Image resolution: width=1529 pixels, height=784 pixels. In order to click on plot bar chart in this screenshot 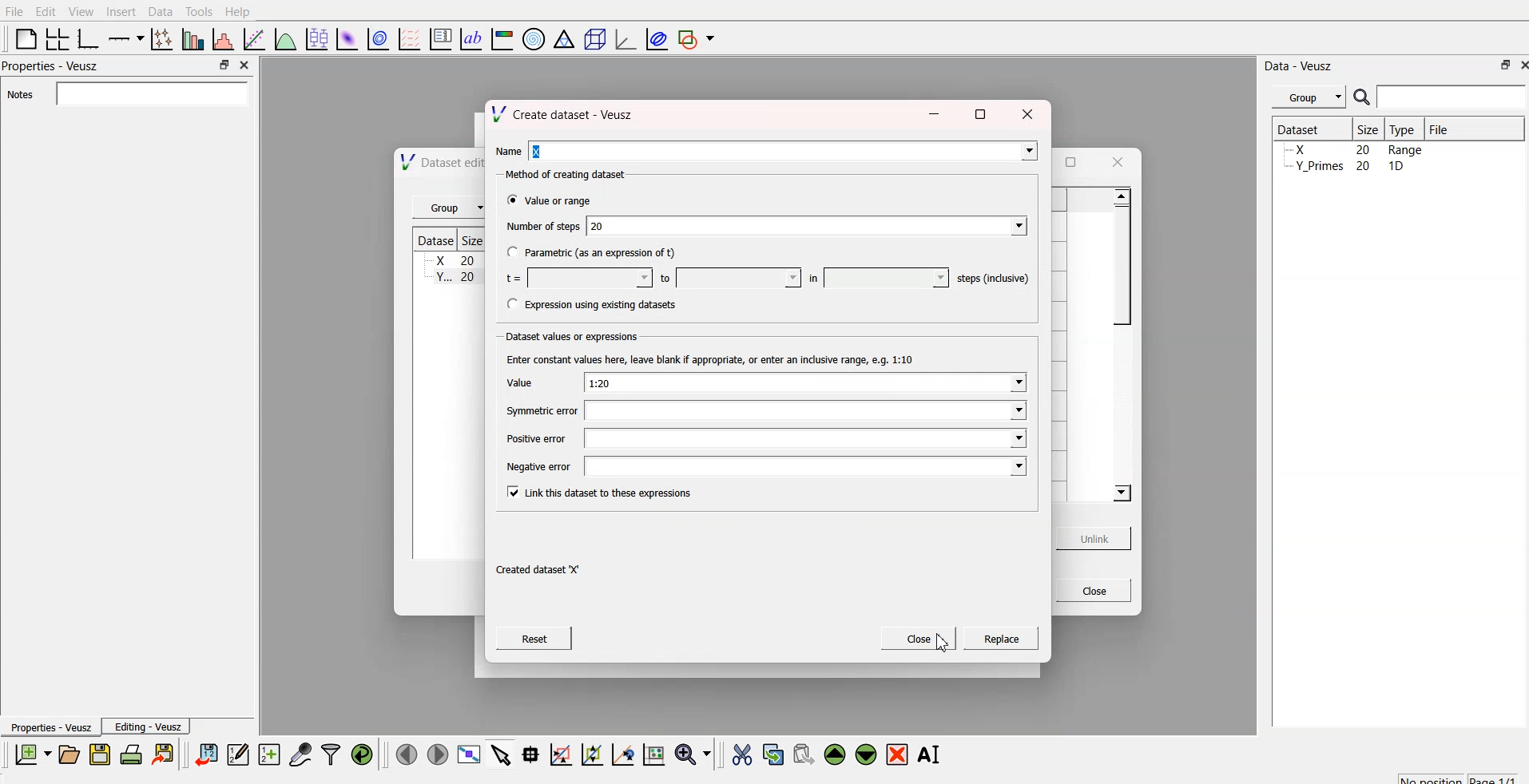, I will do `click(191, 41)`.